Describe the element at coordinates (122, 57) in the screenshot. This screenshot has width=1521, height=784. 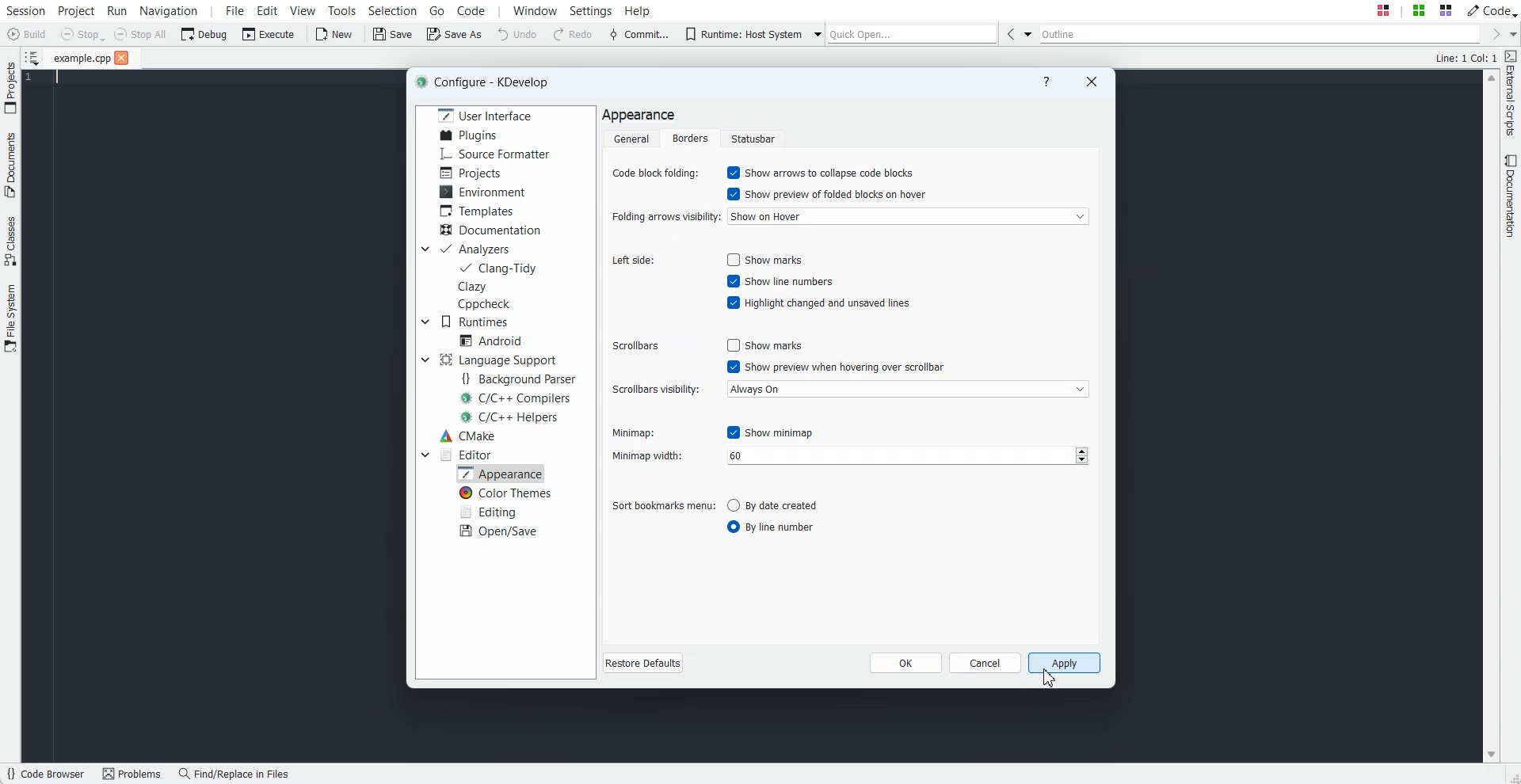
I see `Close` at that location.